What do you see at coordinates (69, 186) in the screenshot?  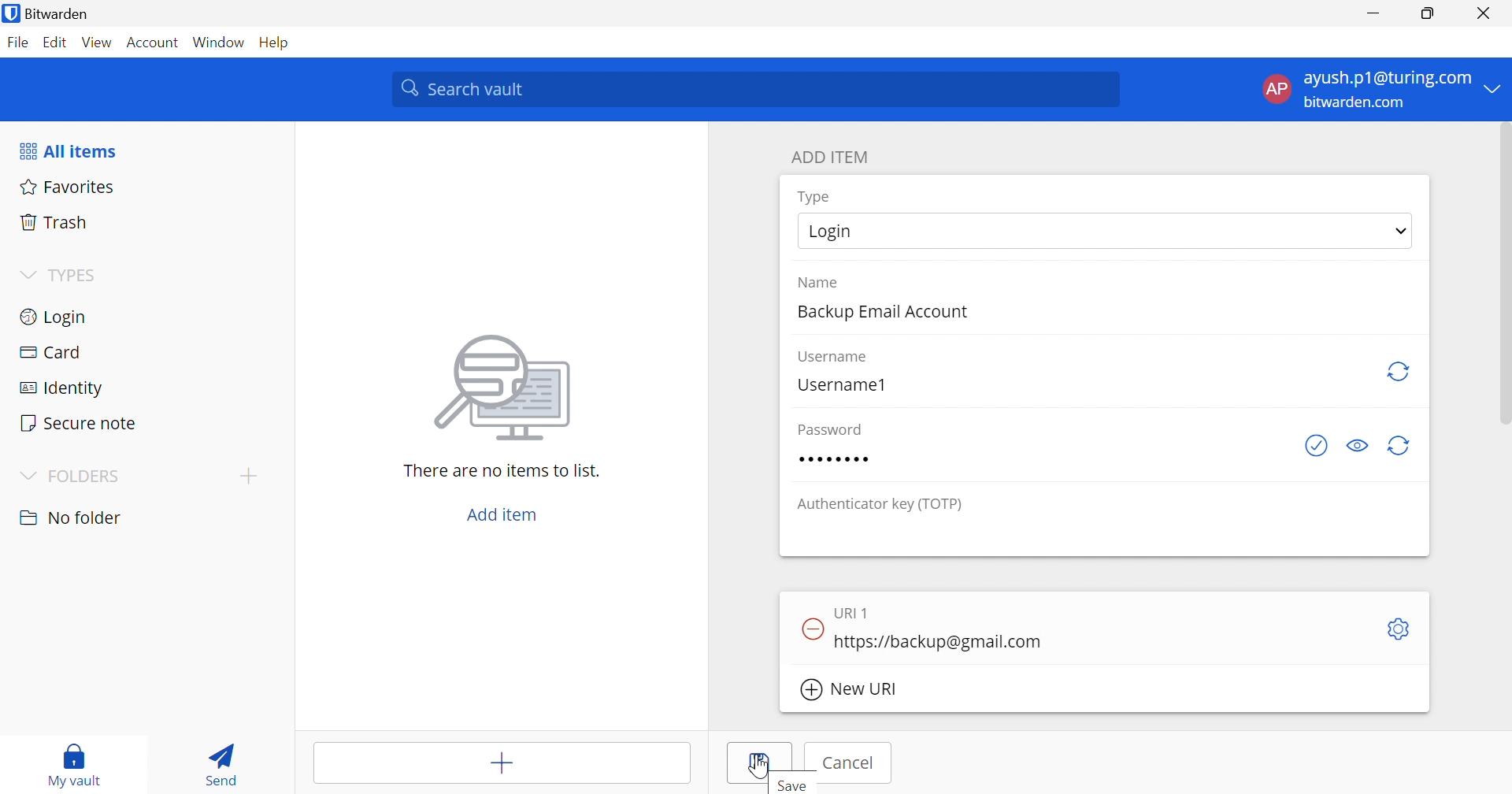 I see `Favorites` at bounding box center [69, 186].